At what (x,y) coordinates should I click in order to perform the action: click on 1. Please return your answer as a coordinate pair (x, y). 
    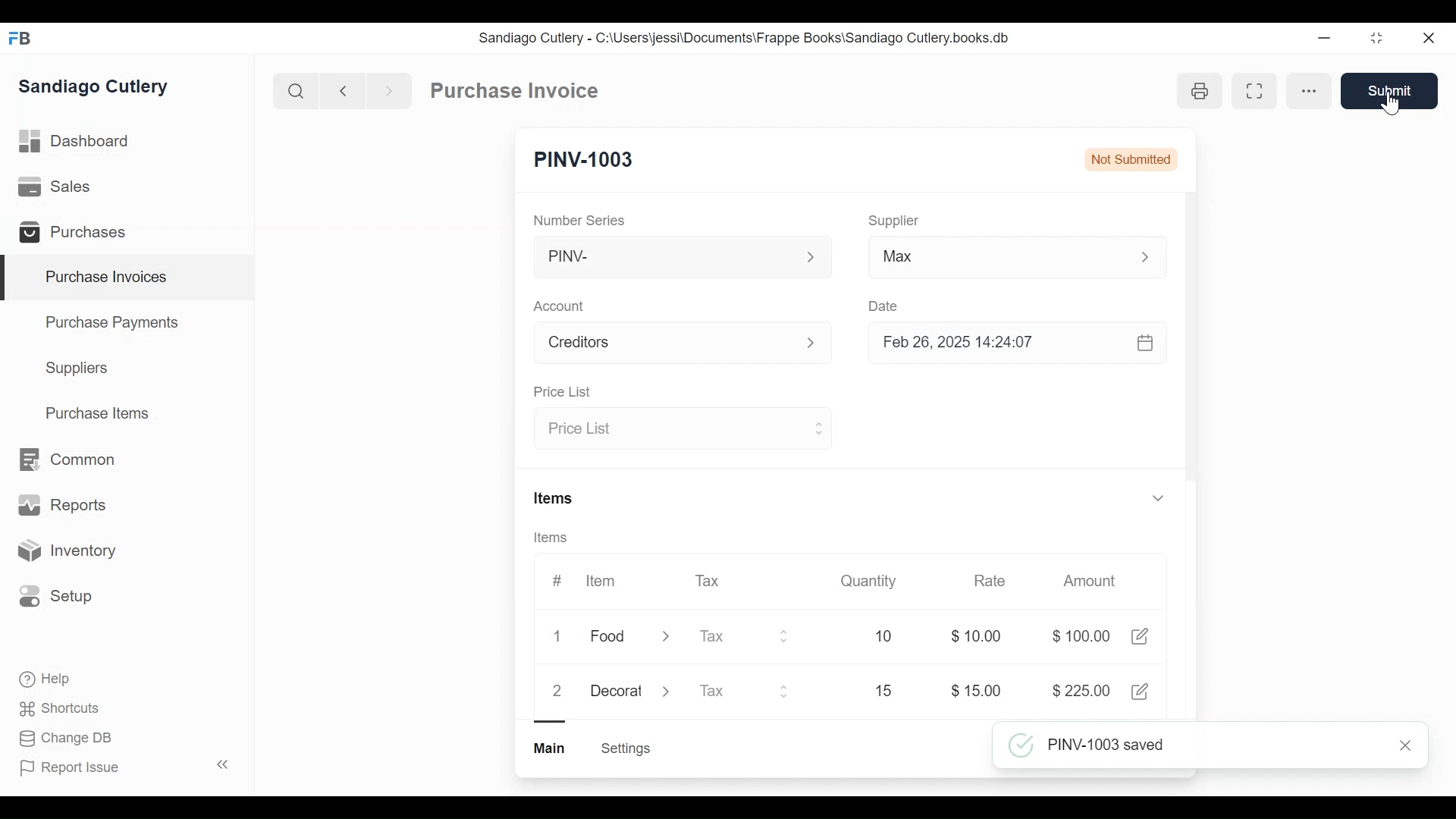
    Looking at the image, I should click on (561, 637).